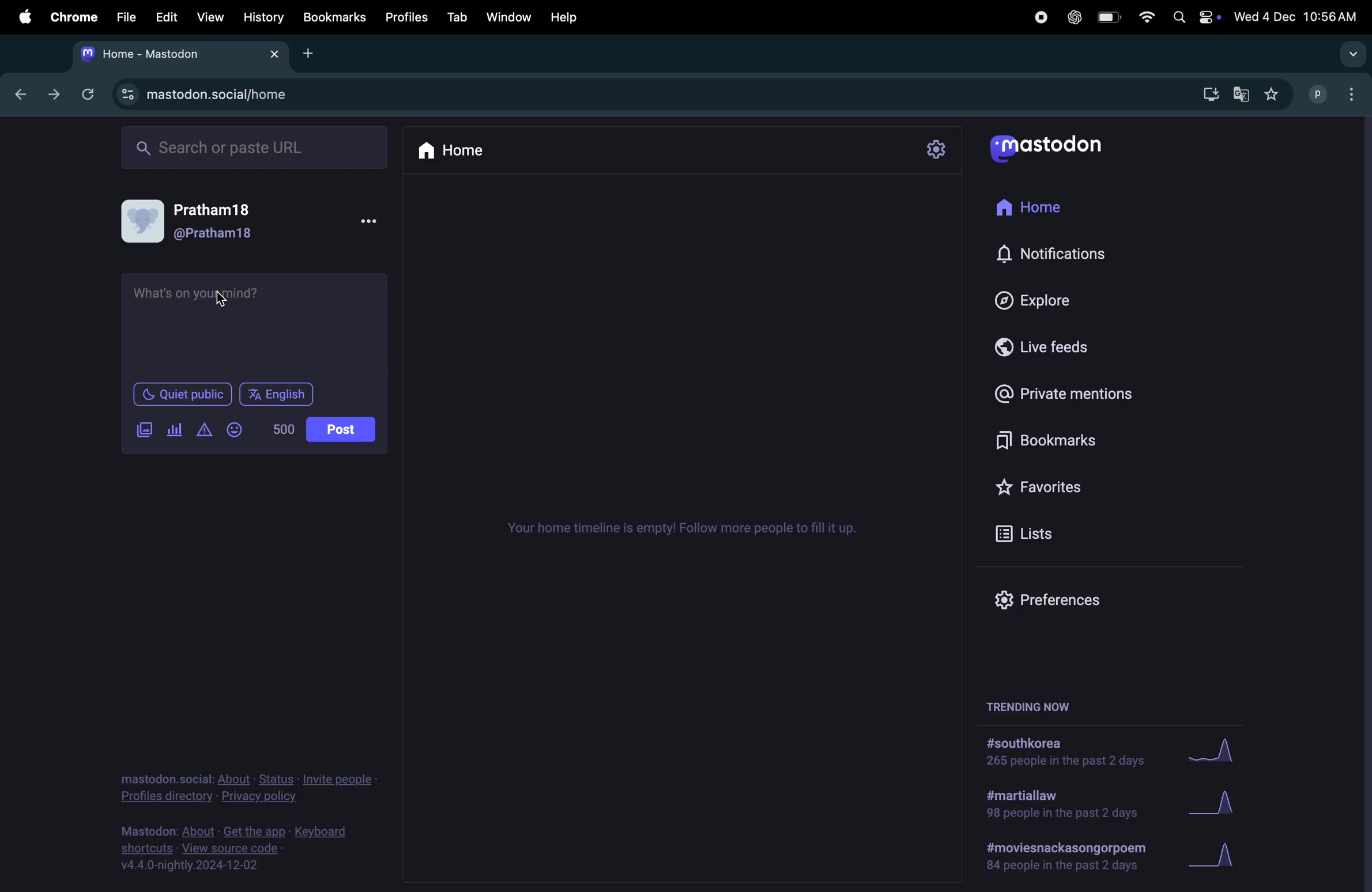 Image resolution: width=1372 pixels, height=892 pixels. What do you see at coordinates (1056, 255) in the screenshot?
I see `Notifications` at bounding box center [1056, 255].